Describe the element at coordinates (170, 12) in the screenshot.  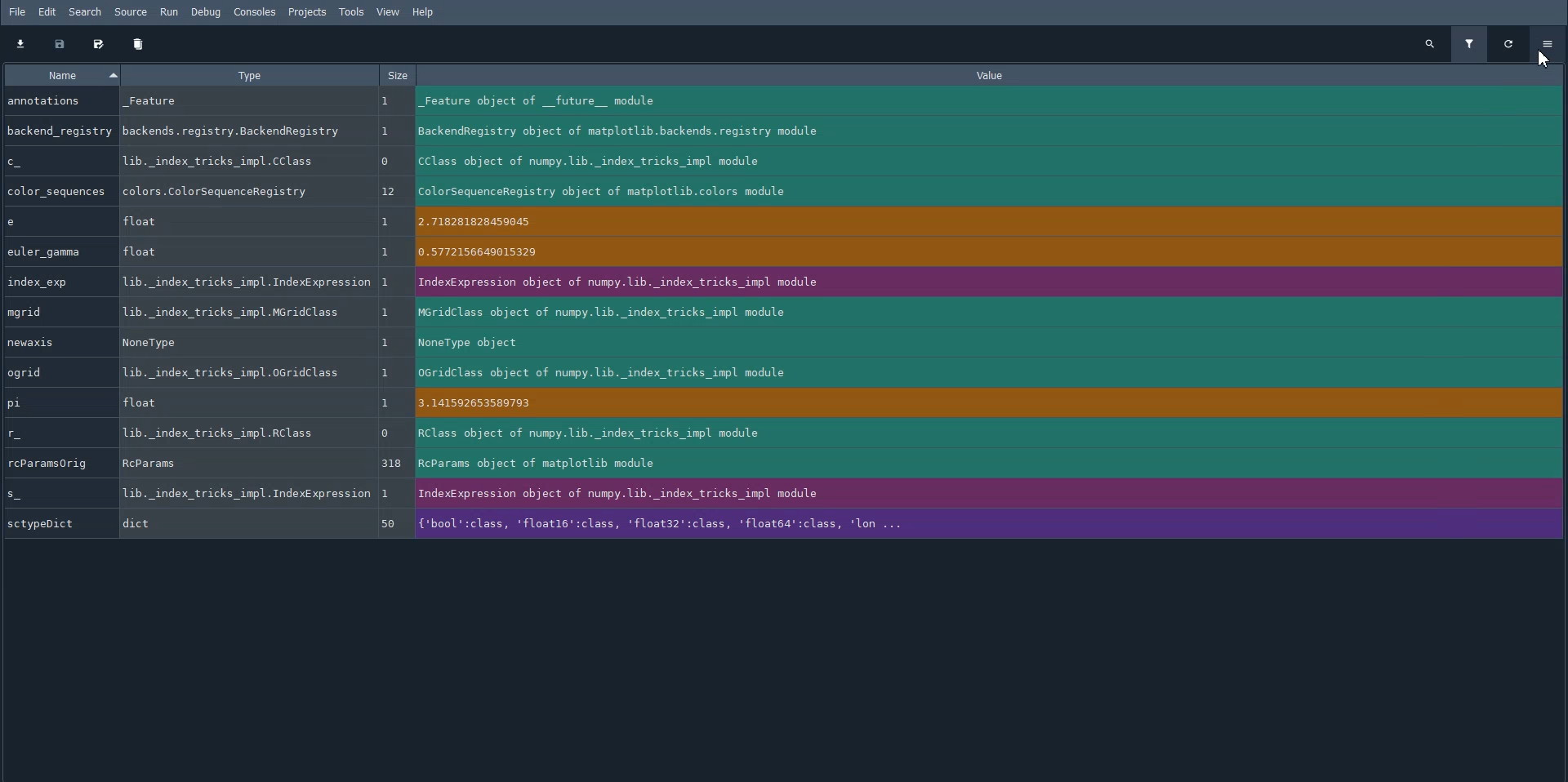
I see `Run` at that location.